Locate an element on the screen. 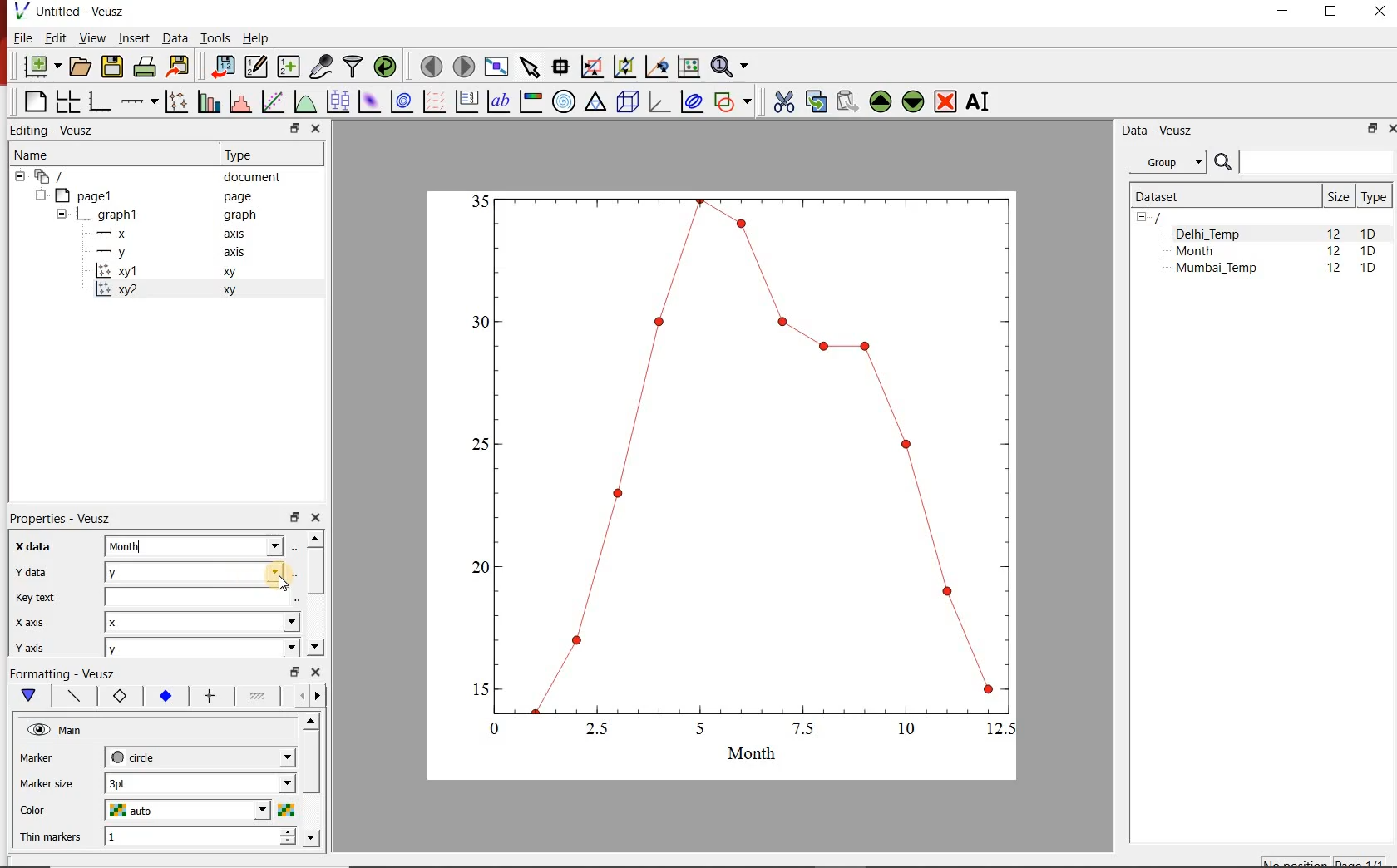 This screenshot has height=868, width=1397. Page1 is located at coordinates (145, 195).